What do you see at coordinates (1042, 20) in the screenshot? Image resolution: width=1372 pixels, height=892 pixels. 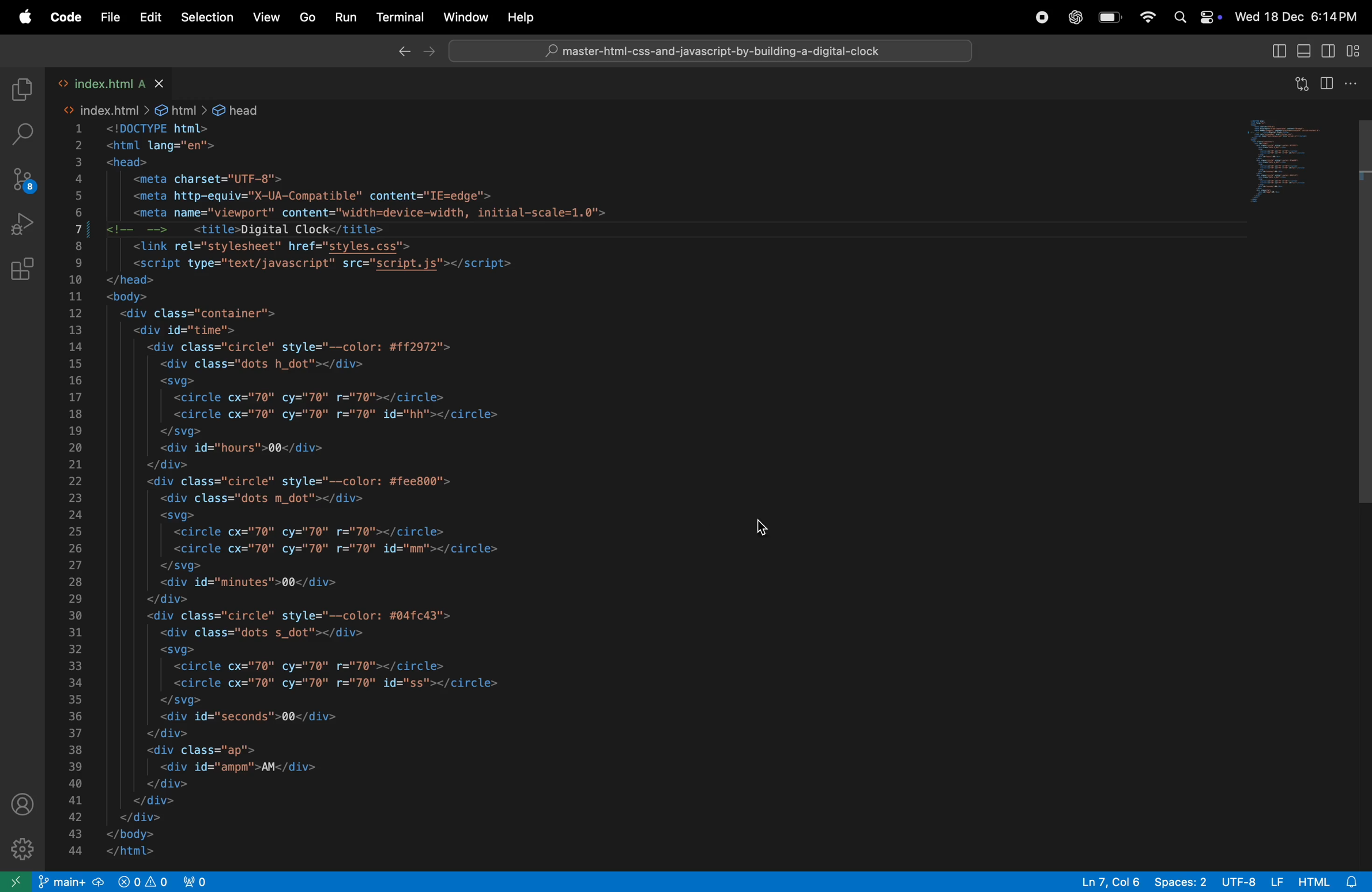 I see `record` at bounding box center [1042, 20].